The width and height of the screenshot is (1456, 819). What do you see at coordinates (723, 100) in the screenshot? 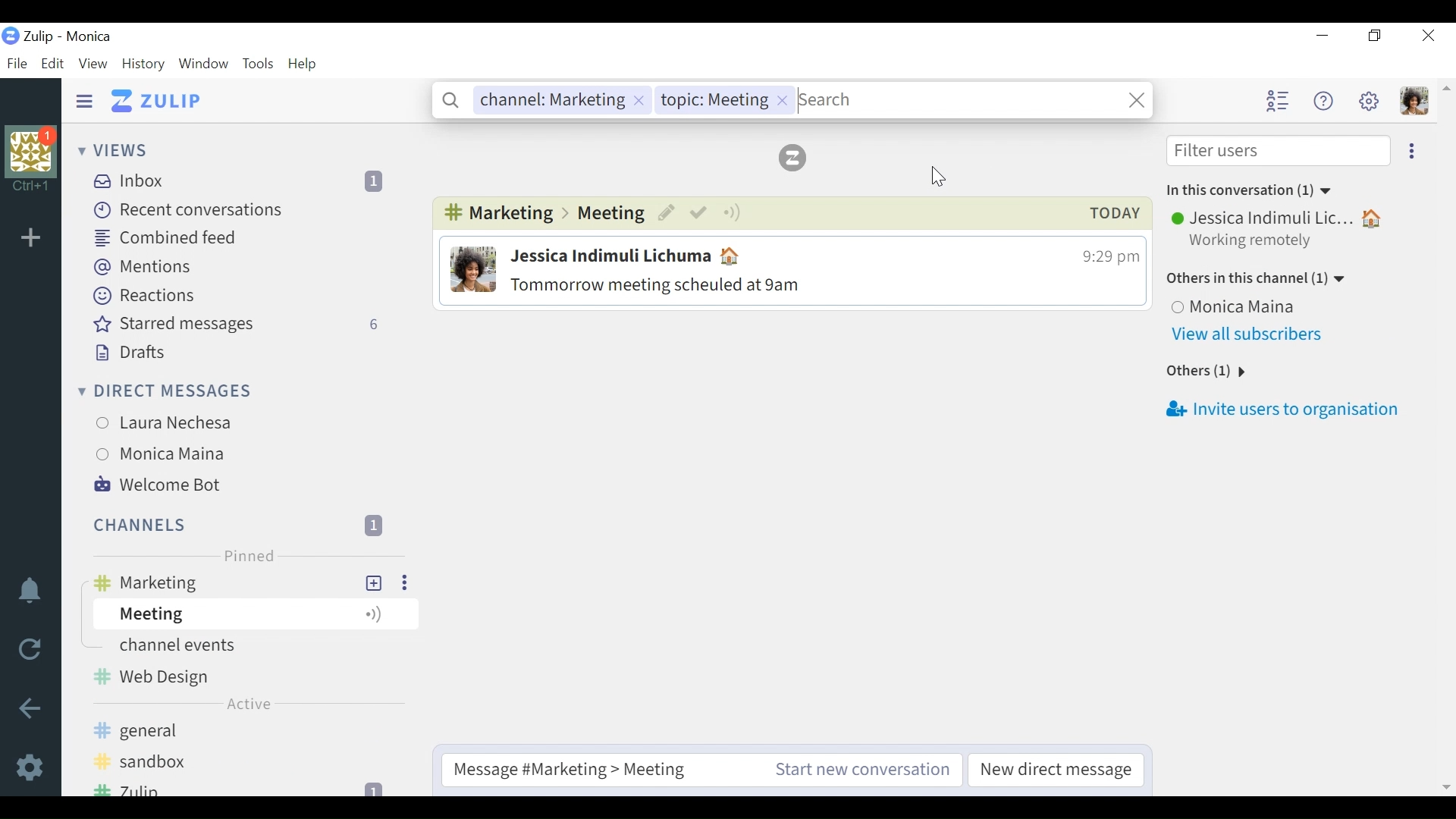
I see `topic: Meeting` at bounding box center [723, 100].